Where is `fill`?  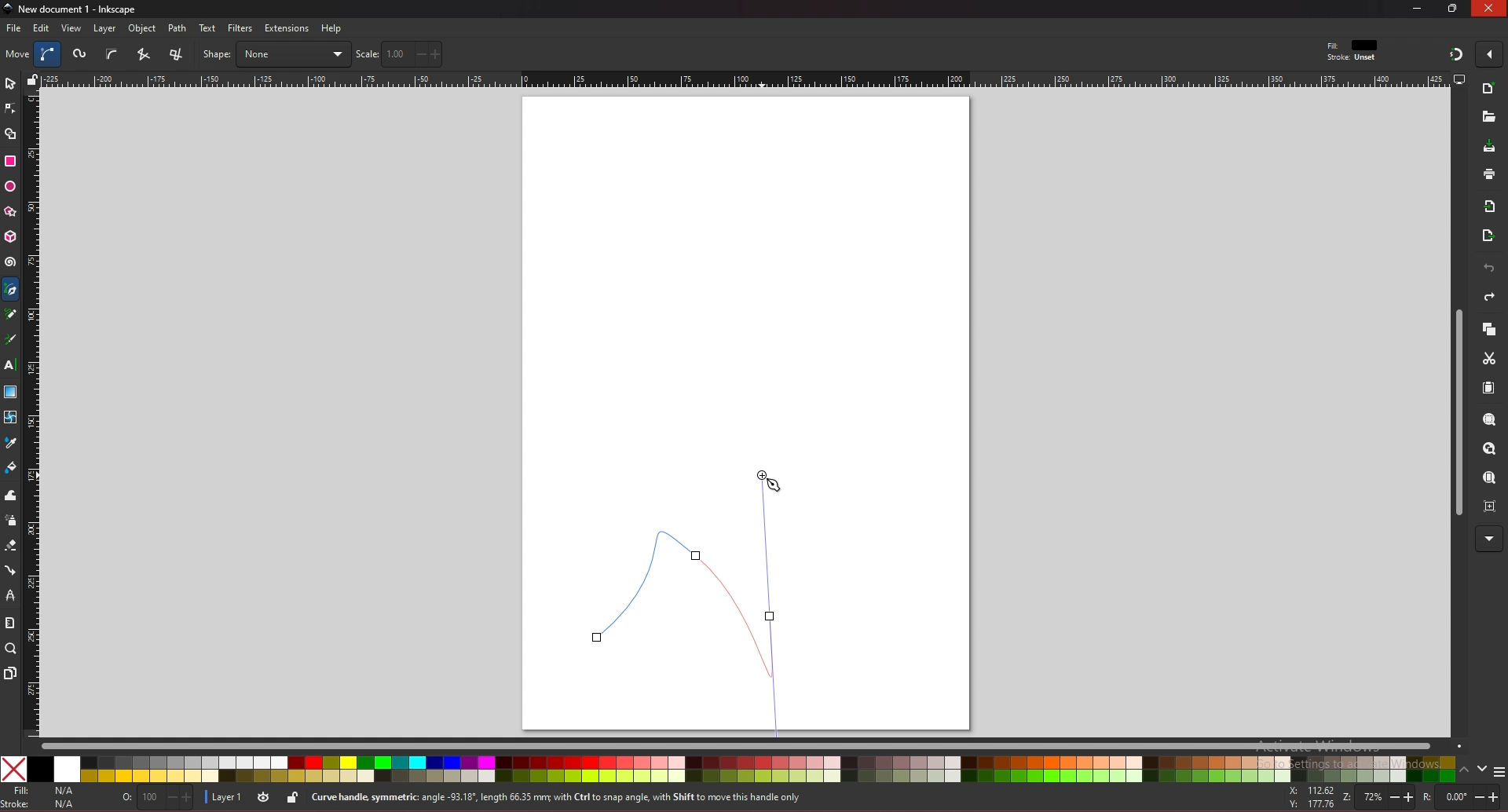
fill is located at coordinates (42, 791).